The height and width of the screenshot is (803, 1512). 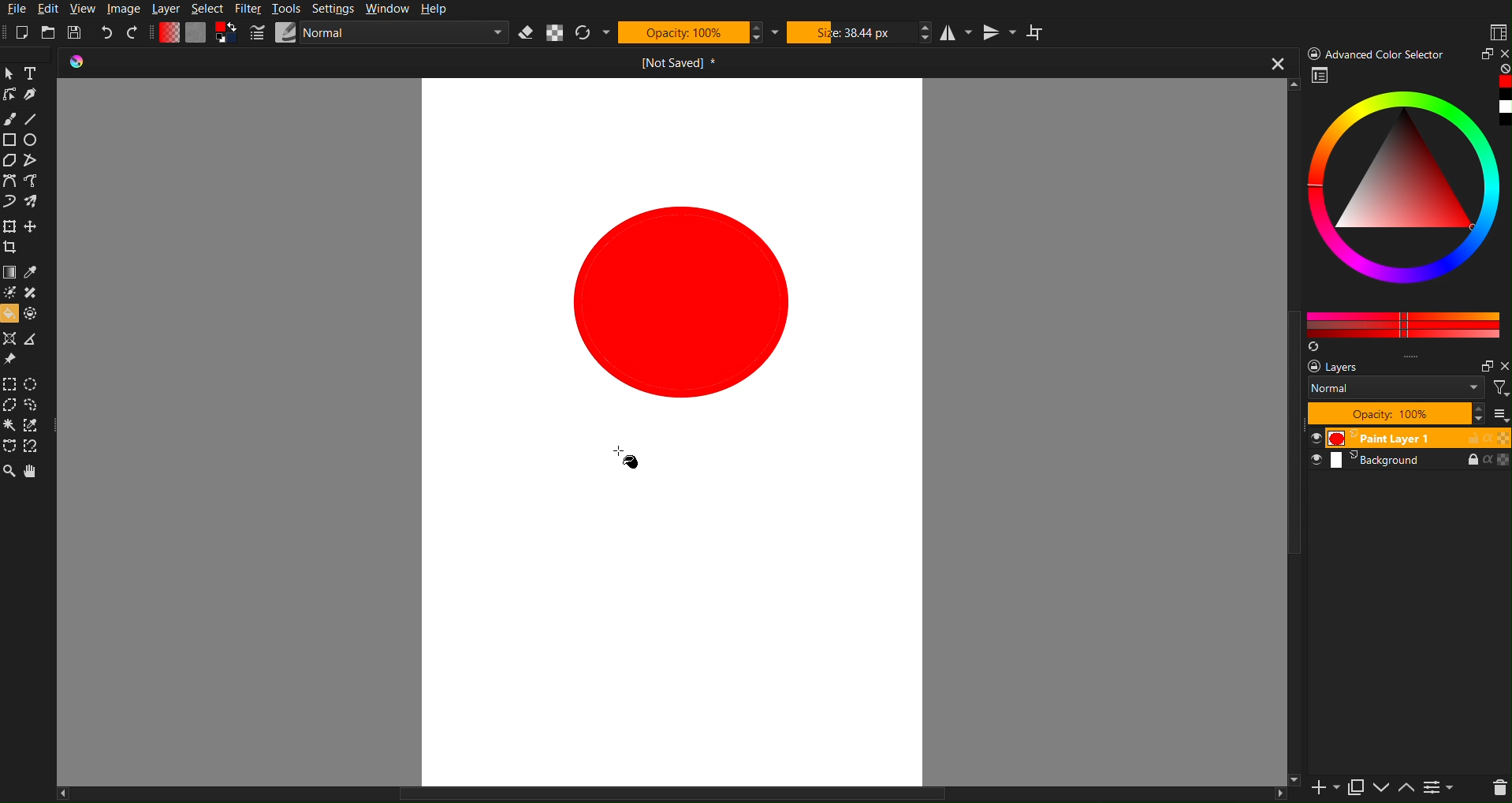 I want to click on Horizontal Scroll Bar, so click(x=667, y=791).